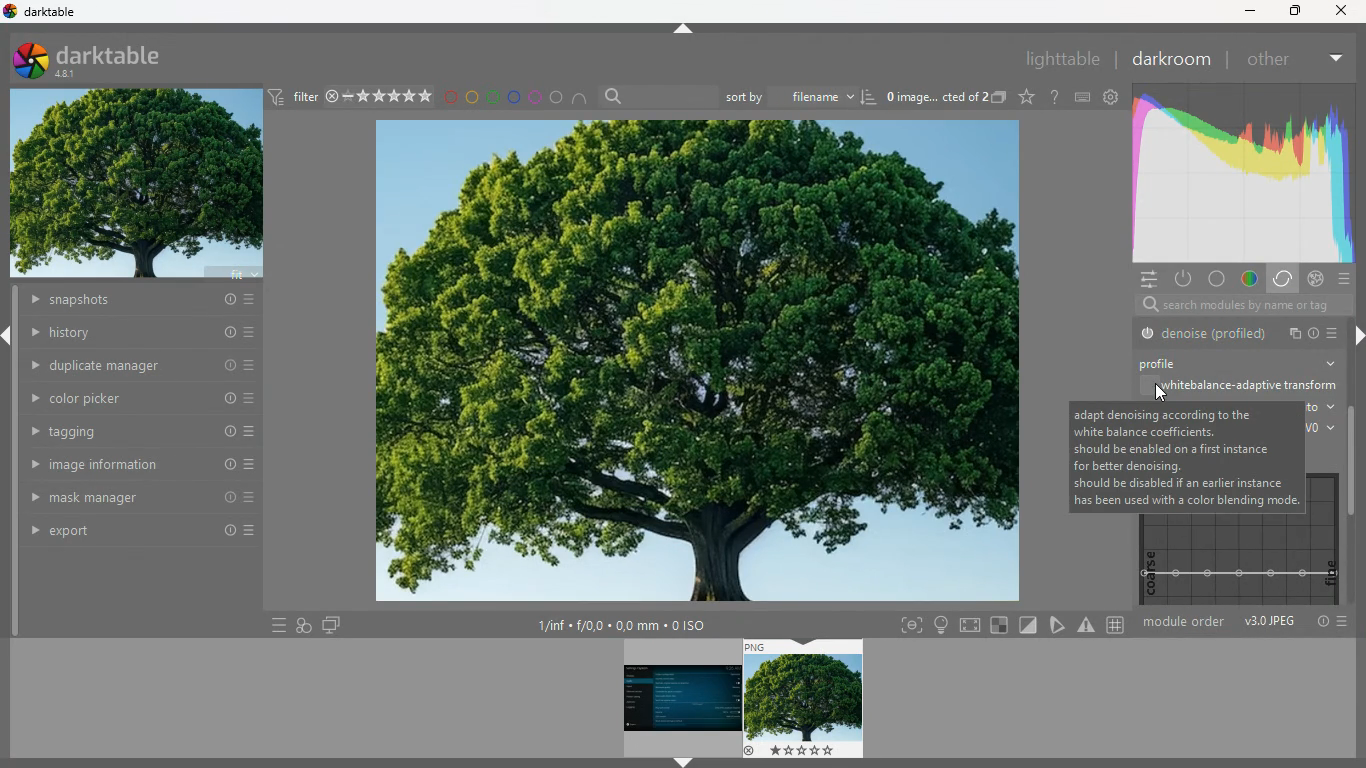 This screenshot has height=768, width=1366. I want to click on correc, so click(1285, 279).